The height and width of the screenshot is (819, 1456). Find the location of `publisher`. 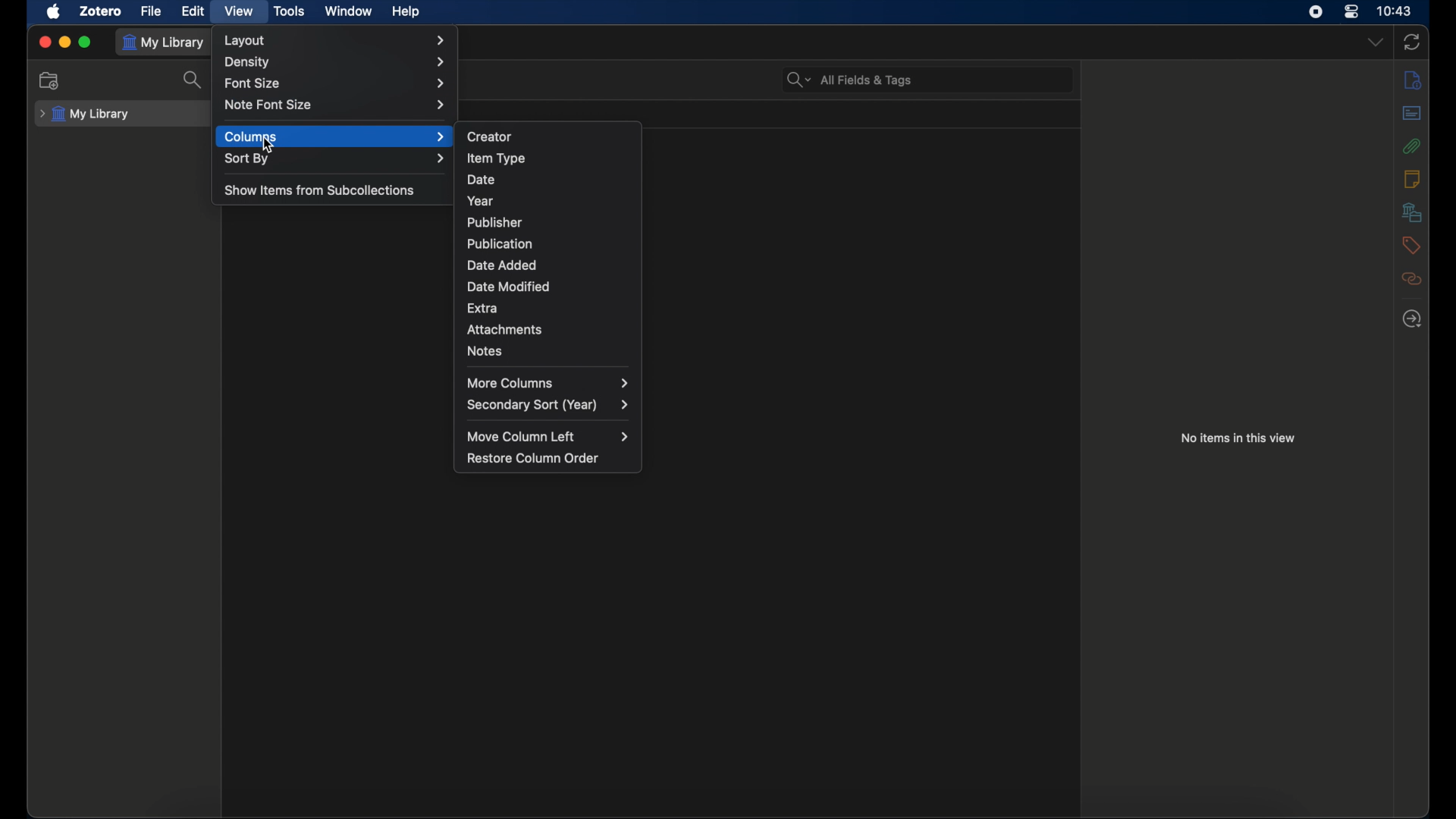

publisher is located at coordinates (495, 223).